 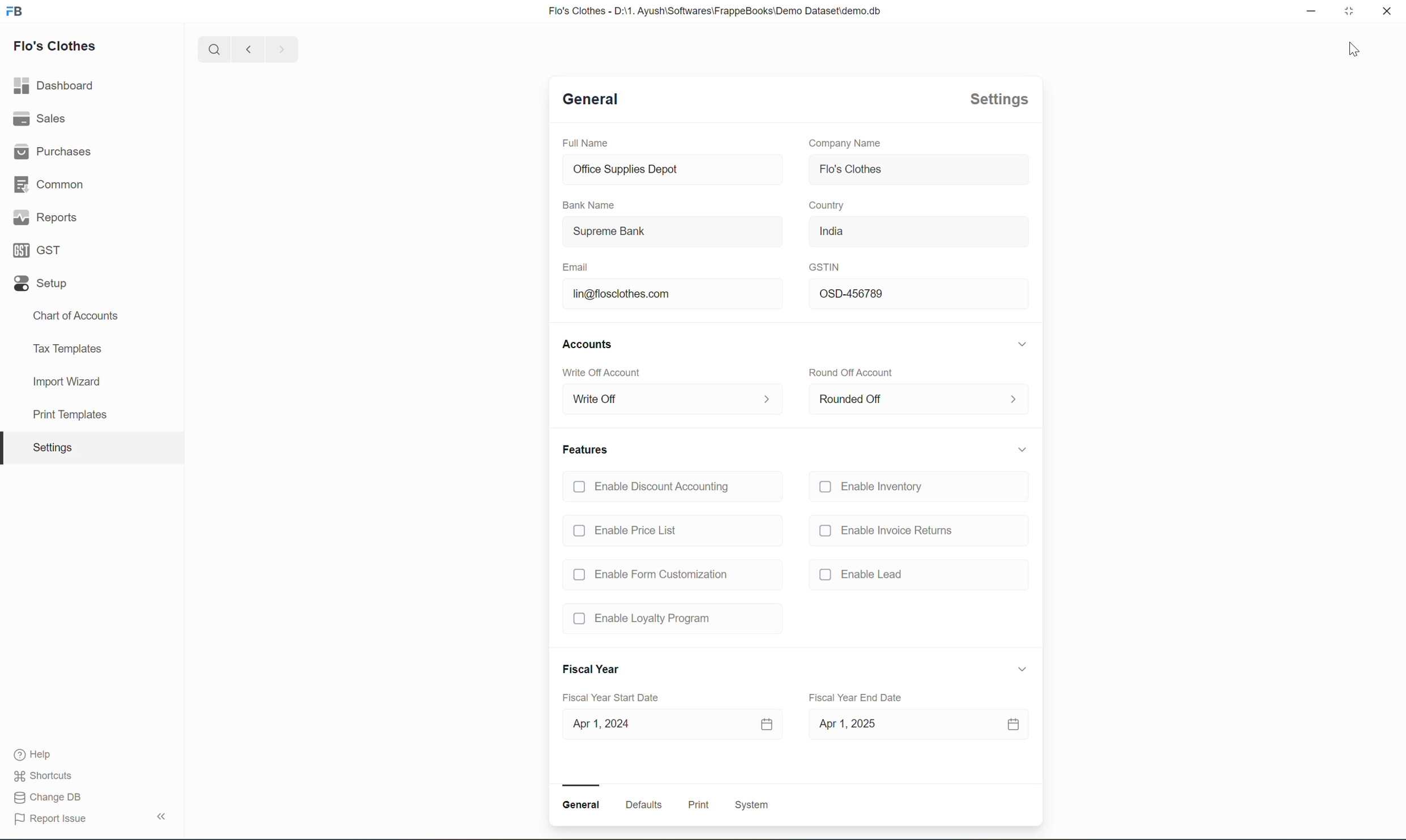 What do you see at coordinates (610, 697) in the screenshot?
I see `Fiscal Year Start Date` at bounding box center [610, 697].